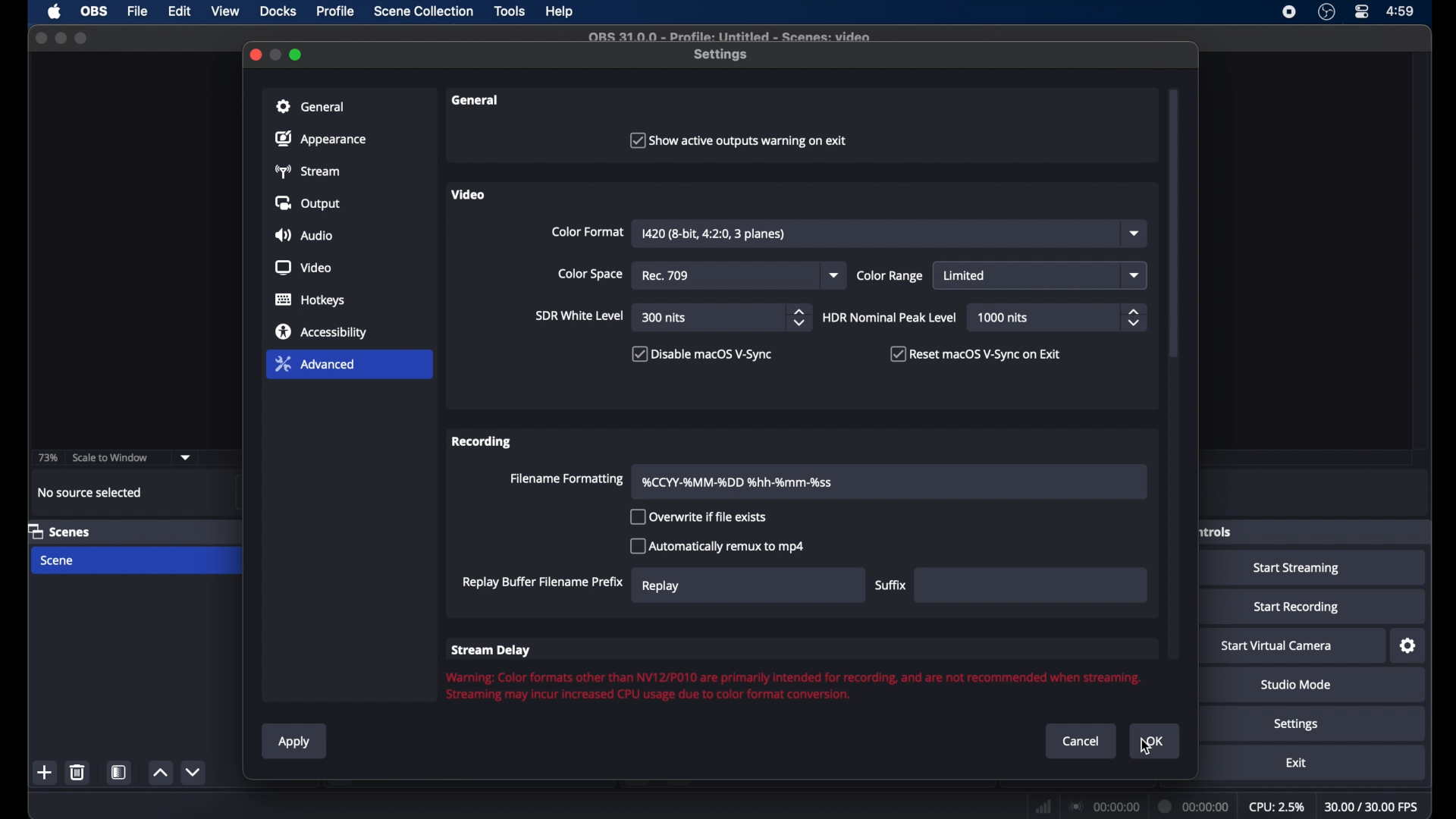  I want to click on Show active outputs warning on exit, so click(744, 140).